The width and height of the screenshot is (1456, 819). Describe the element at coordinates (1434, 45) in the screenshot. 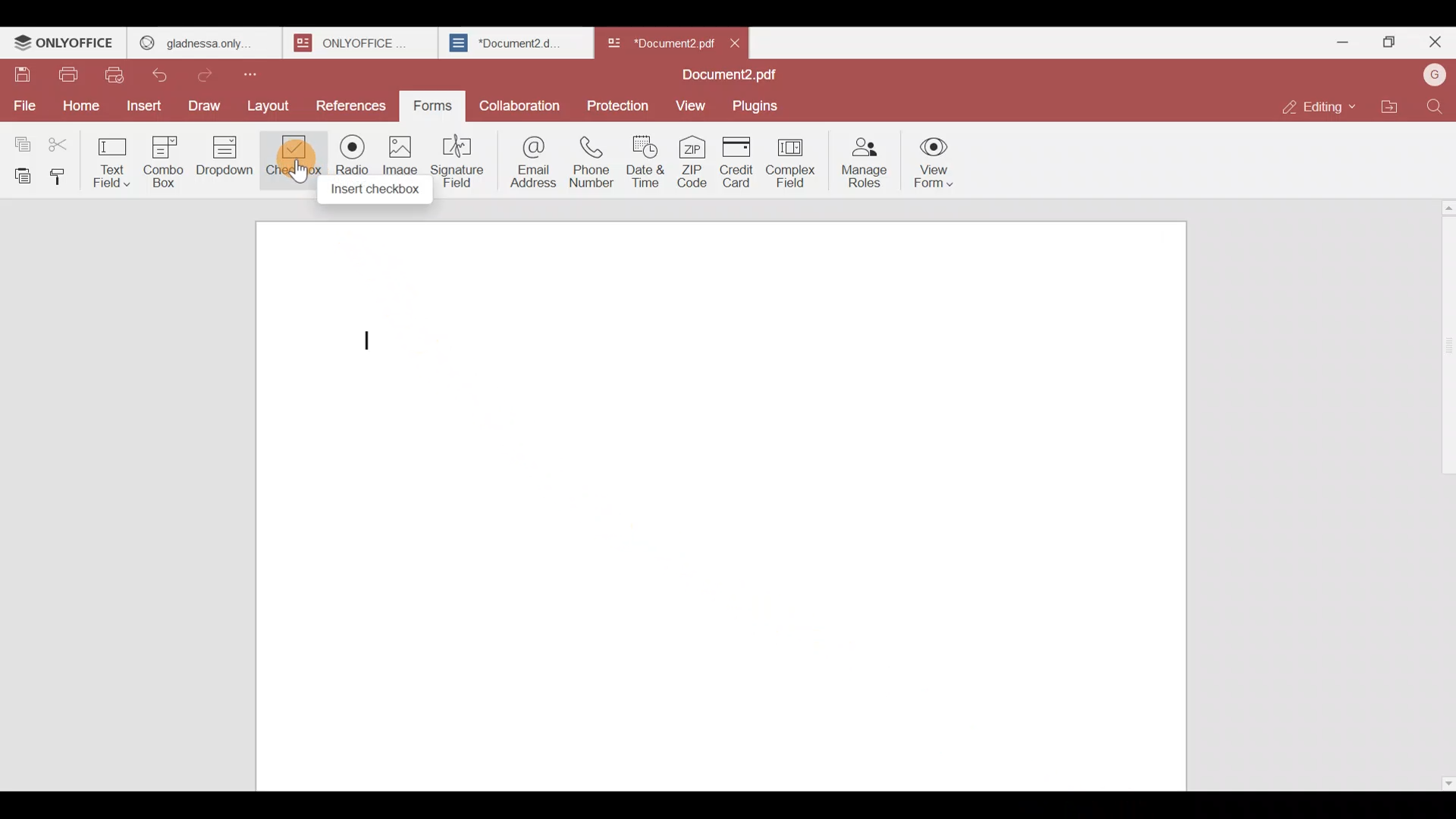

I see `Close` at that location.